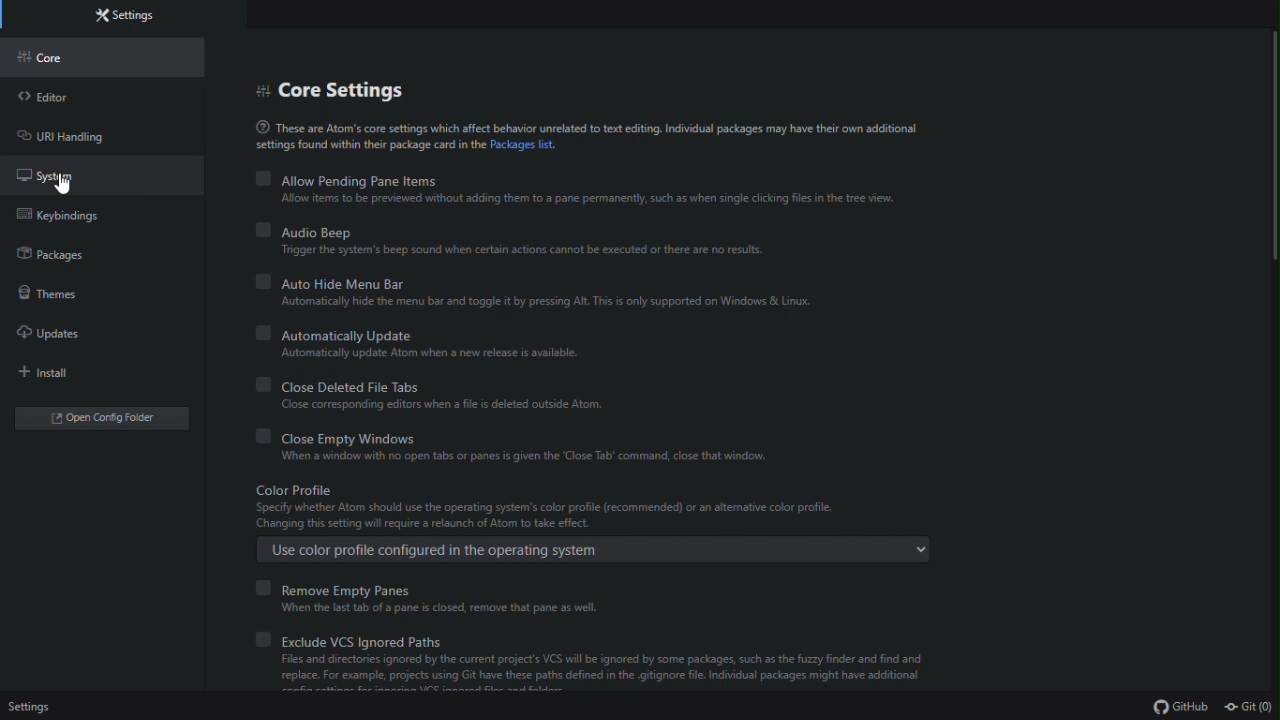 This screenshot has width=1280, height=720. What do you see at coordinates (99, 254) in the screenshot?
I see `Packages` at bounding box center [99, 254].